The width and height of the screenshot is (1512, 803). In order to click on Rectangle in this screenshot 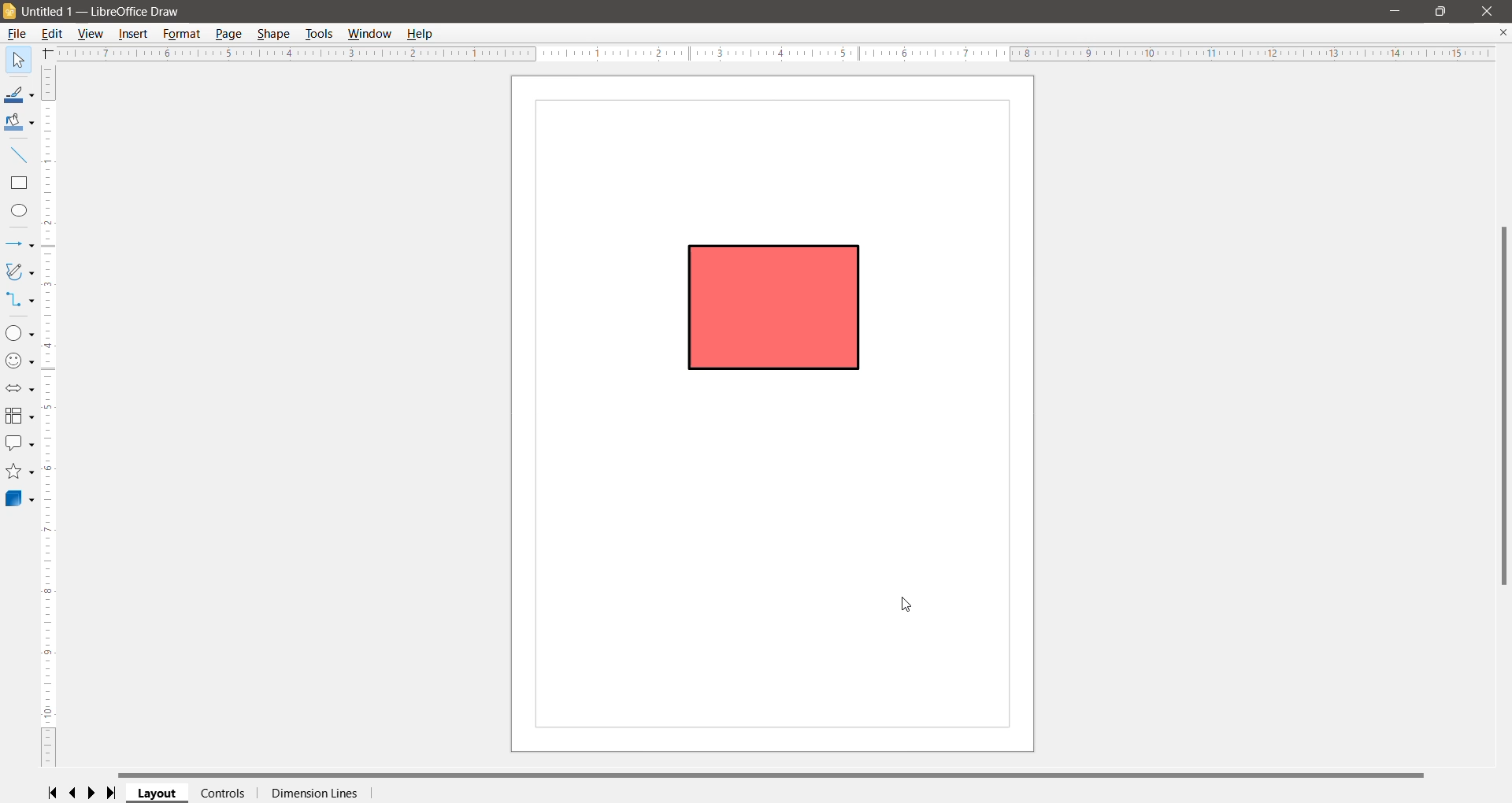, I will do `click(19, 183)`.